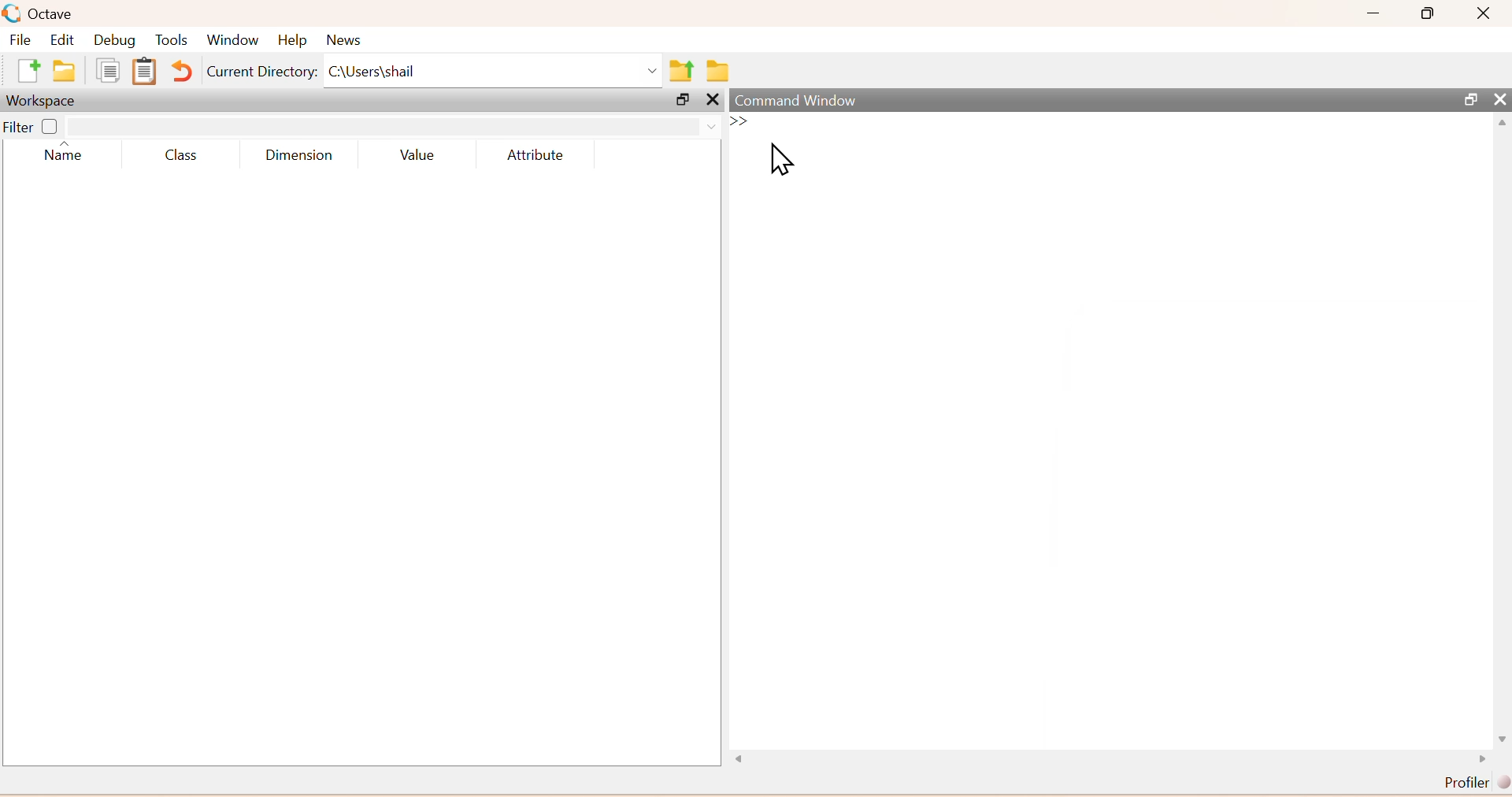 This screenshot has height=797, width=1512. Describe the element at coordinates (713, 99) in the screenshot. I see `` at that location.